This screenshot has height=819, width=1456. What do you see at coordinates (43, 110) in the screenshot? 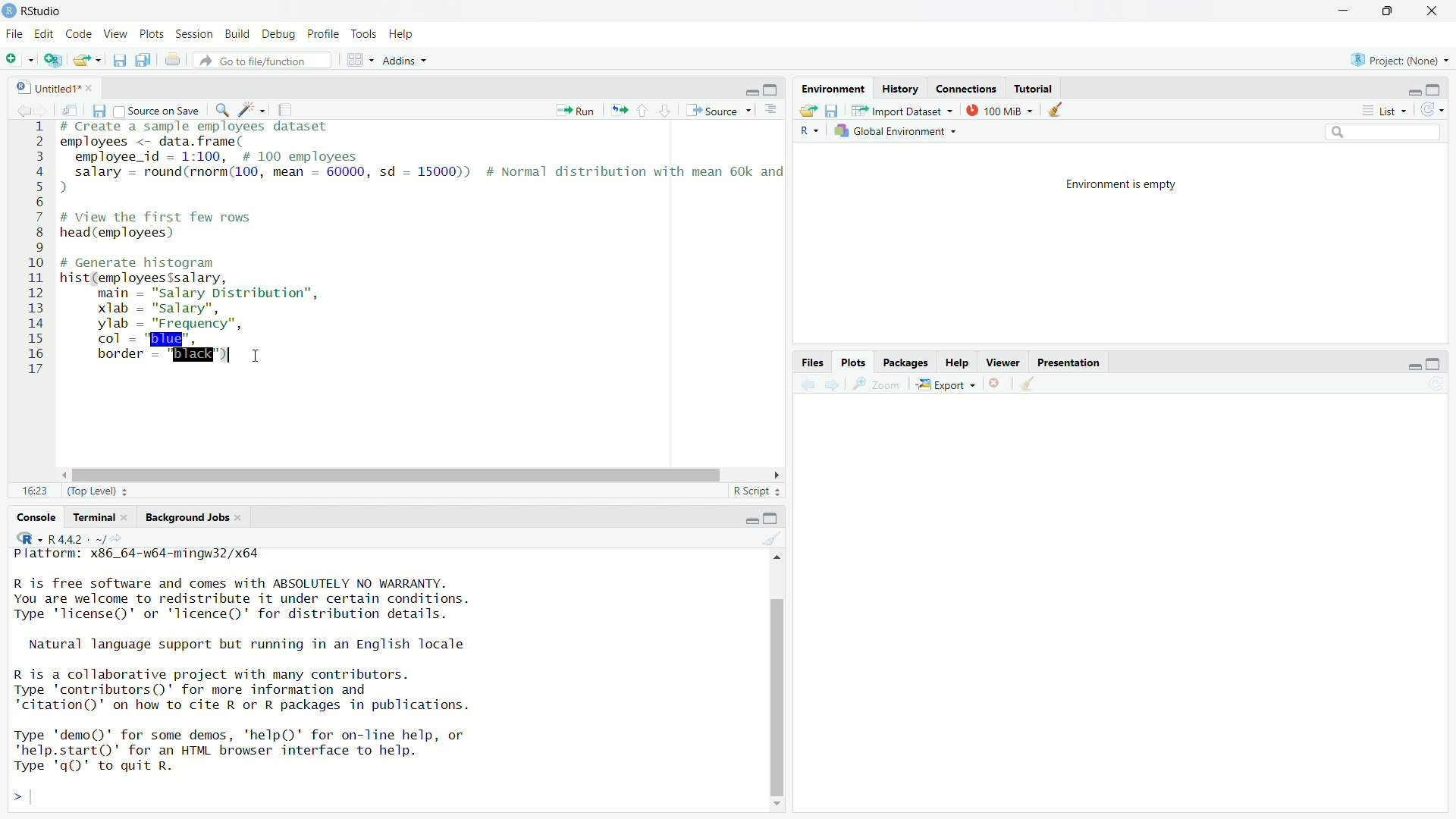
I see `forward` at bounding box center [43, 110].